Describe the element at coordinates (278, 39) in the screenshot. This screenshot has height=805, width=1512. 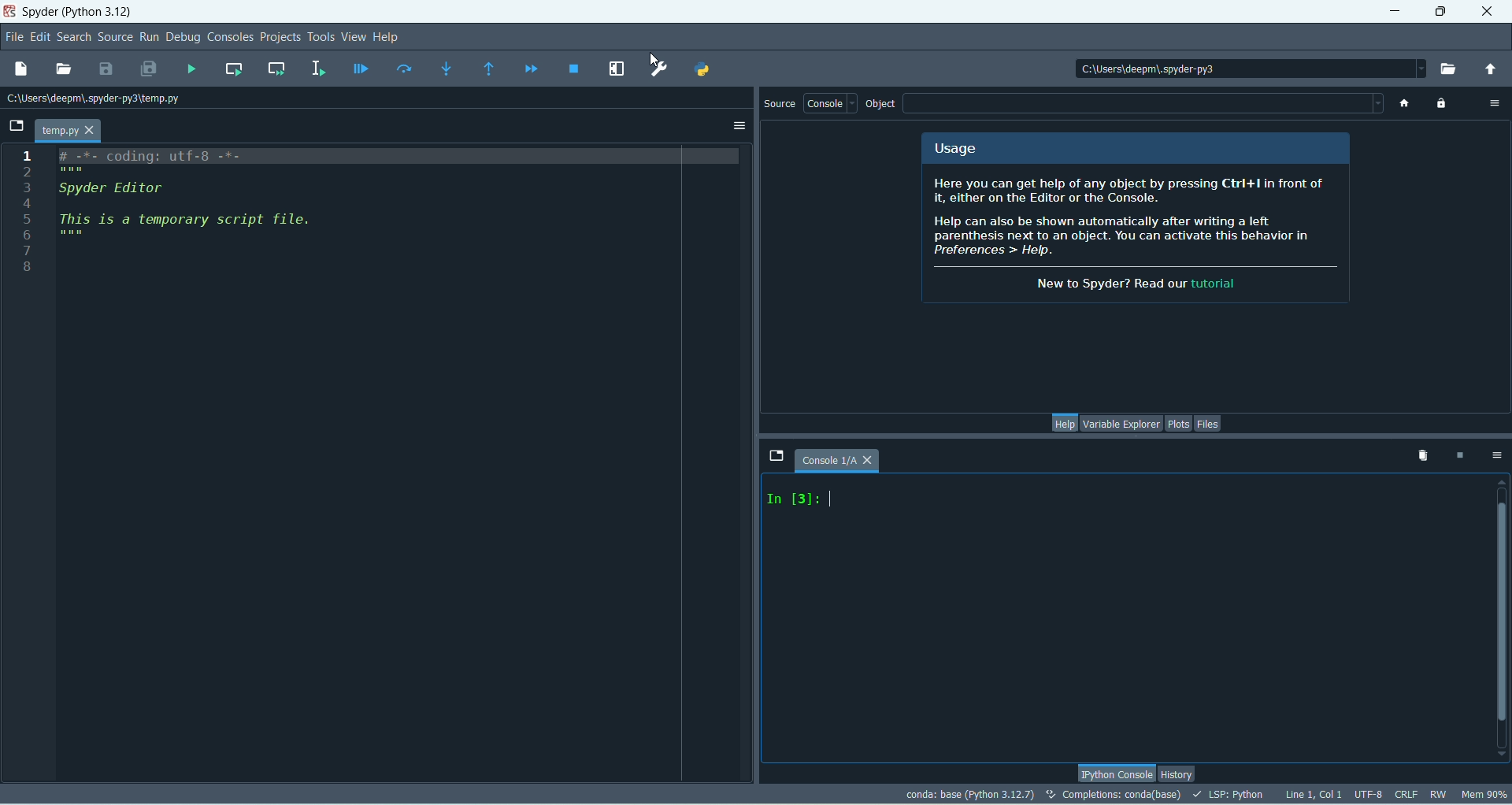
I see `projects` at that location.